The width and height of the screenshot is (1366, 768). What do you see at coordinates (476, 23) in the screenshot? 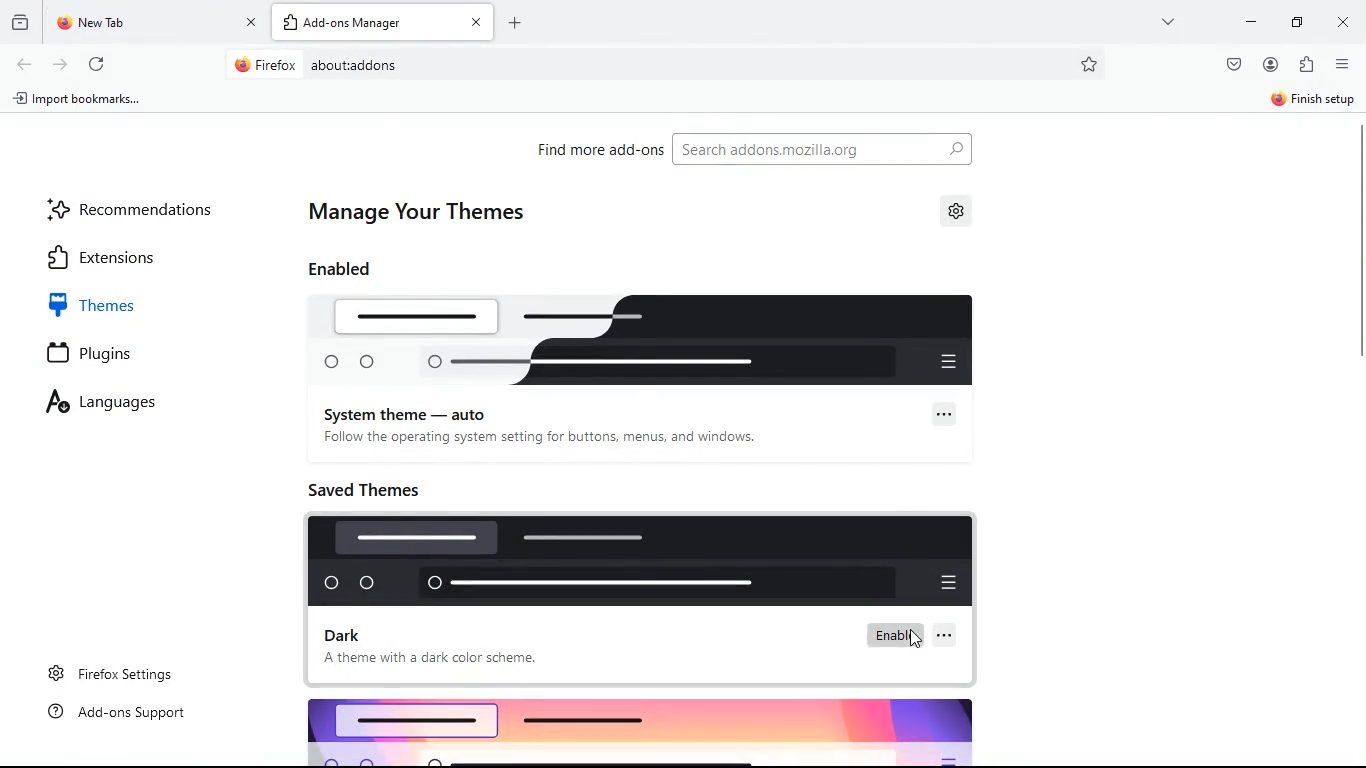
I see `close` at bounding box center [476, 23].